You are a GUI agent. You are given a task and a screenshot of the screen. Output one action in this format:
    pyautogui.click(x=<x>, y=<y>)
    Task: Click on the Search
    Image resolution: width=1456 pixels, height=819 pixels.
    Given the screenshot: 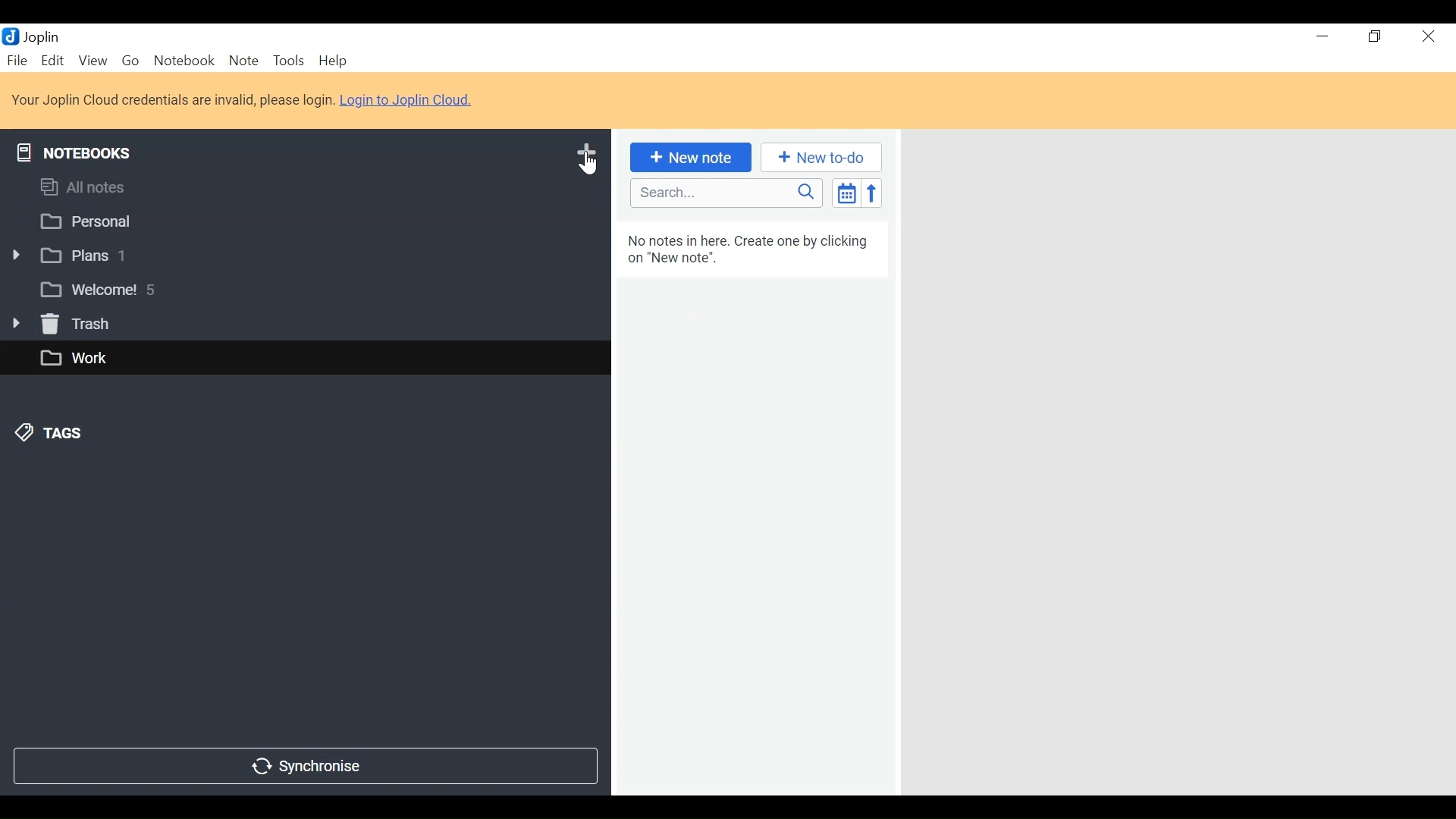 What is the action you would take?
    pyautogui.click(x=726, y=193)
    